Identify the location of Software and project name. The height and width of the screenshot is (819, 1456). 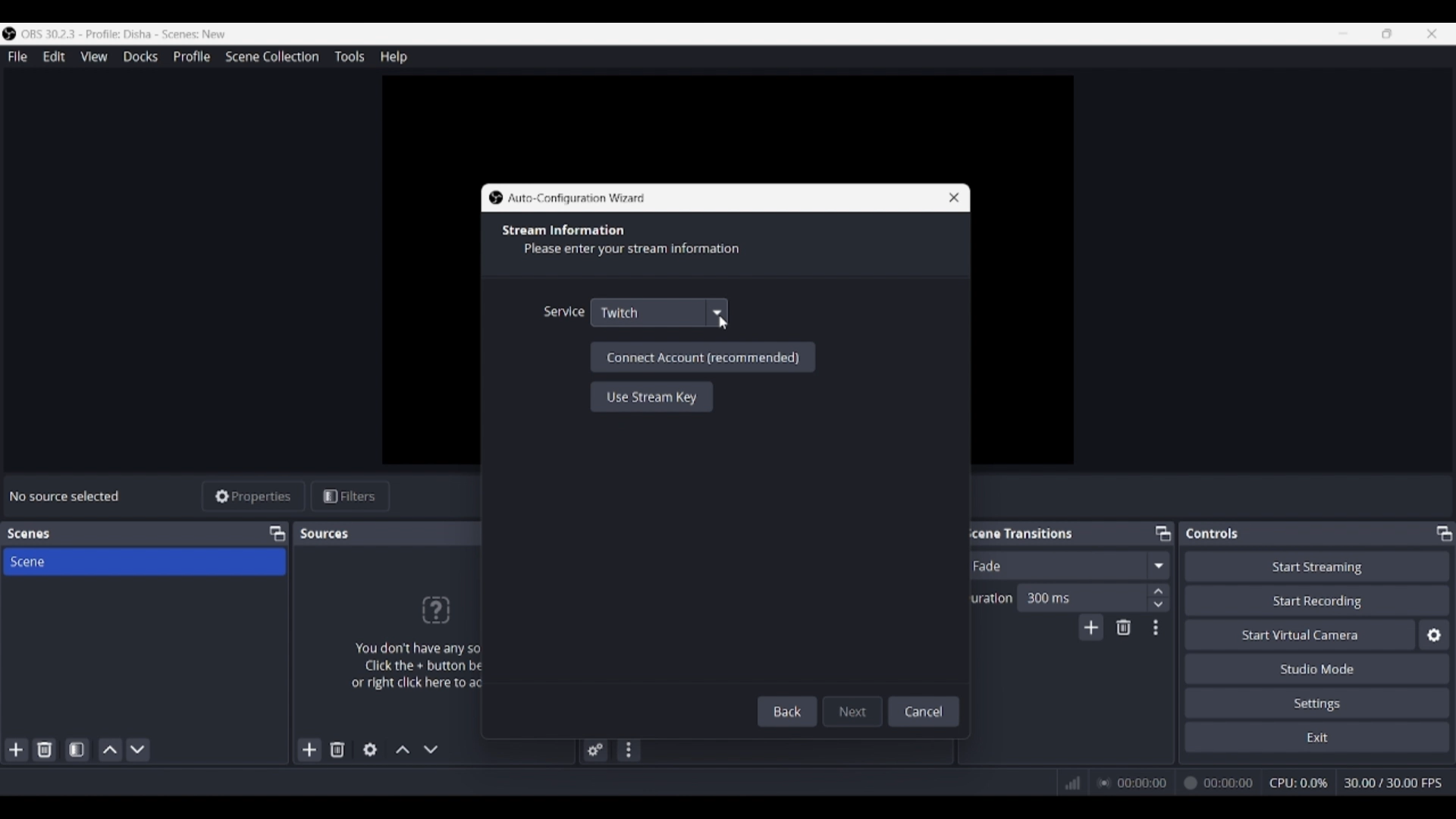
(130, 34).